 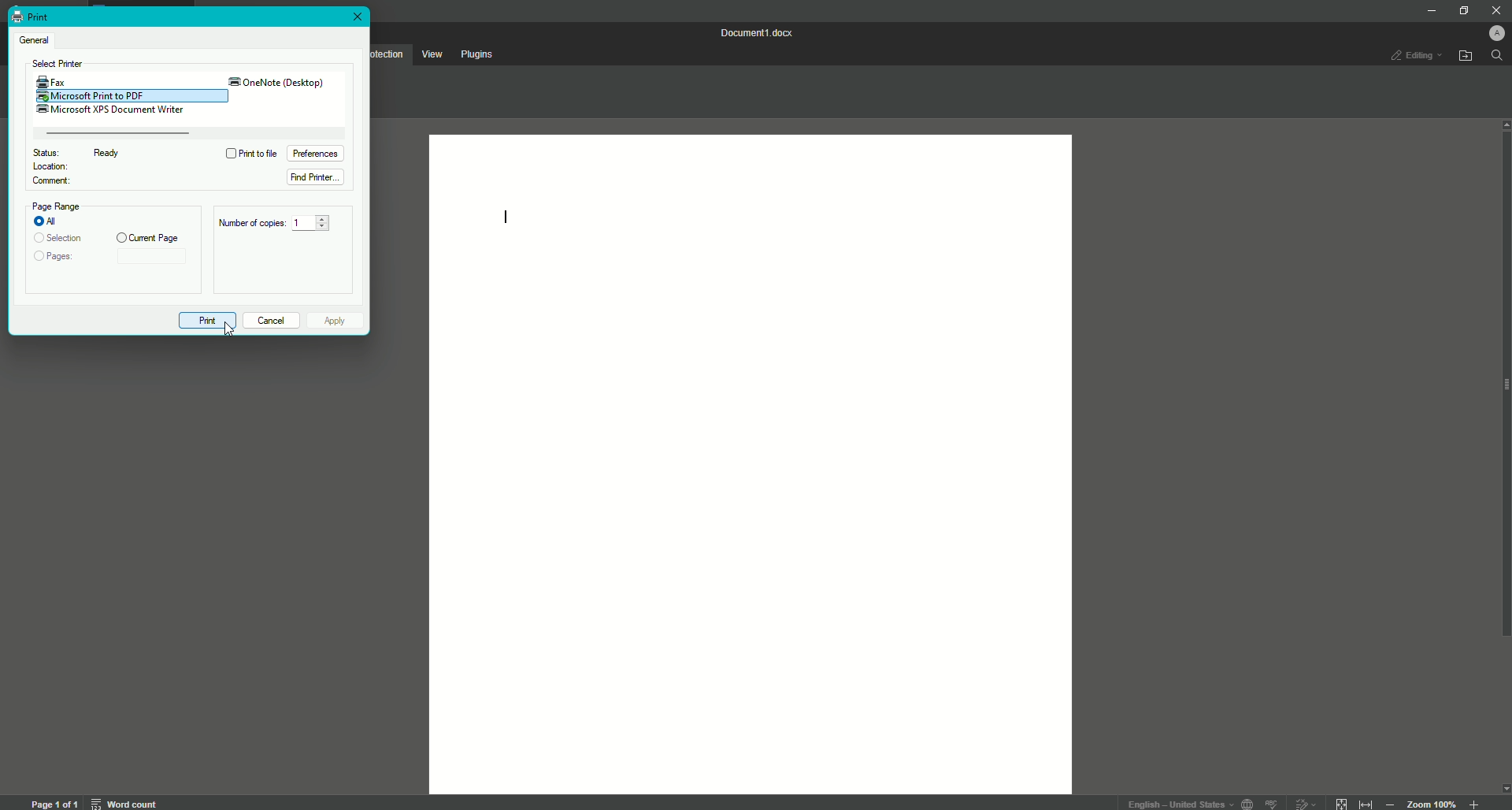 What do you see at coordinates (1273, 803) in the screenshot?
I see `spell check` at bounding box center [1273, 803].